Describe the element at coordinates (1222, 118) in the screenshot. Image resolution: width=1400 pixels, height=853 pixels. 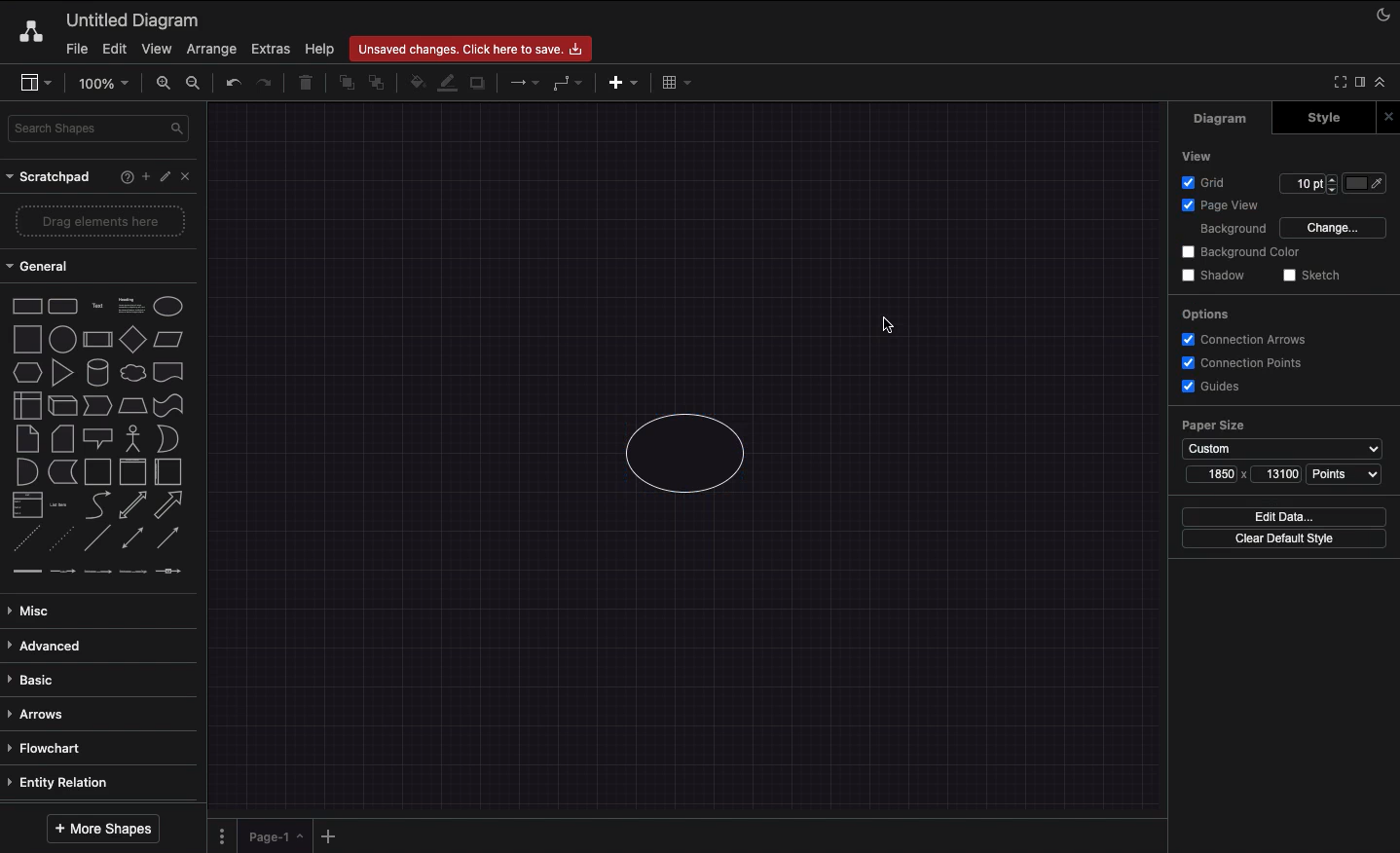
I see `Diagram` at that location.